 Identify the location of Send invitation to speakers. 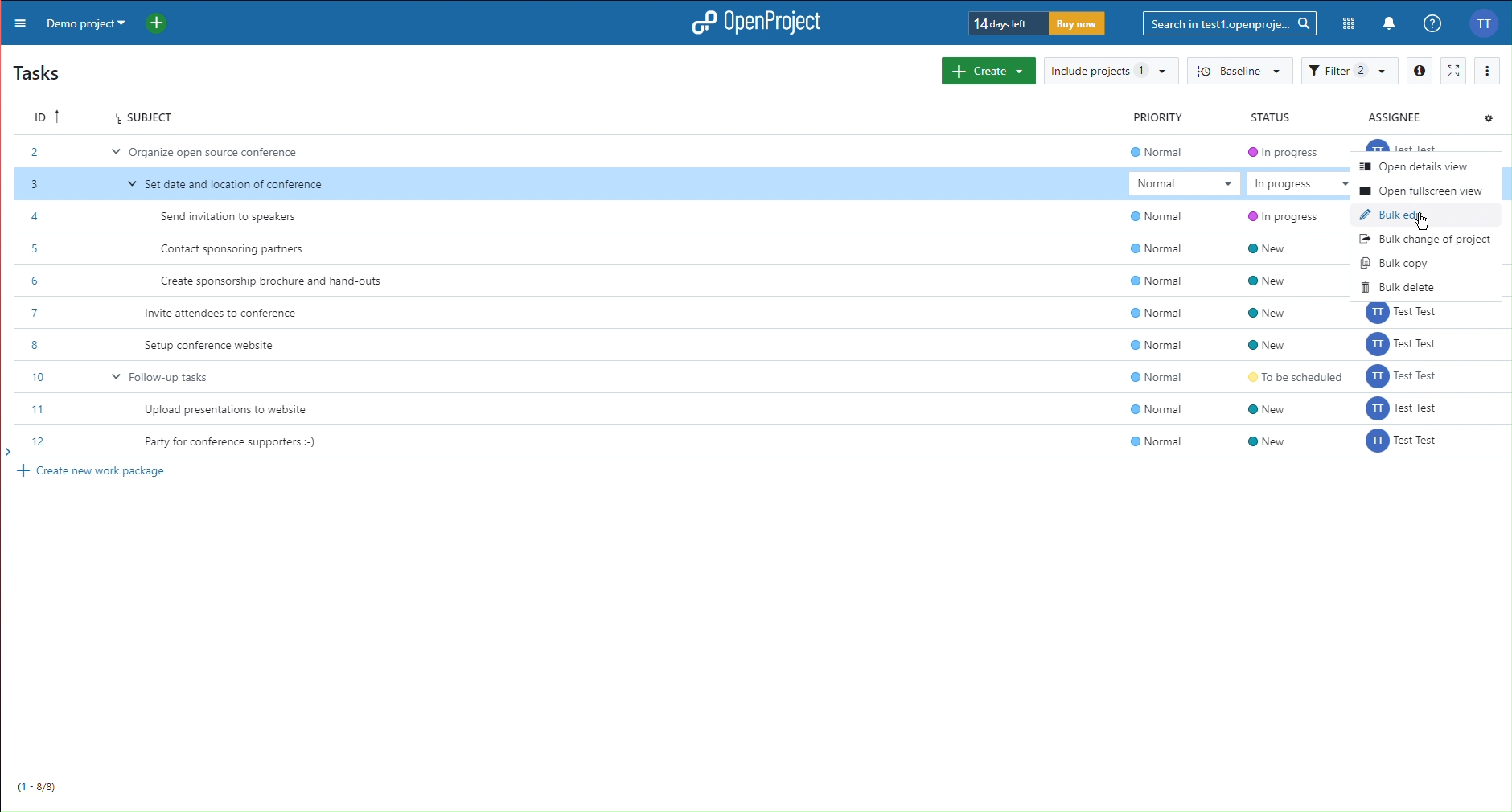
(236, 217).